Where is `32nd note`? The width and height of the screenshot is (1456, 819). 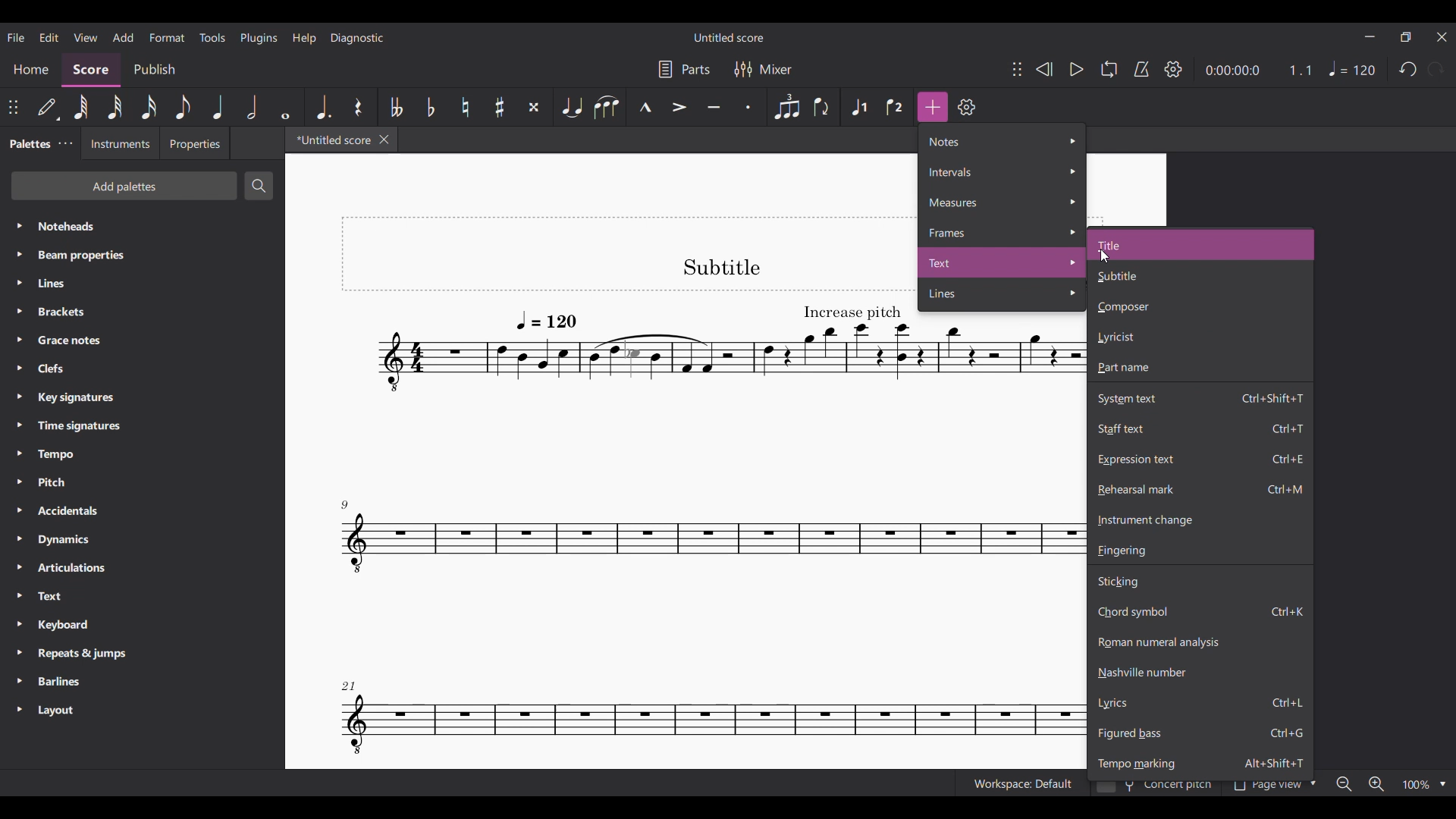 32nd note is located at coordinates (115, 107).